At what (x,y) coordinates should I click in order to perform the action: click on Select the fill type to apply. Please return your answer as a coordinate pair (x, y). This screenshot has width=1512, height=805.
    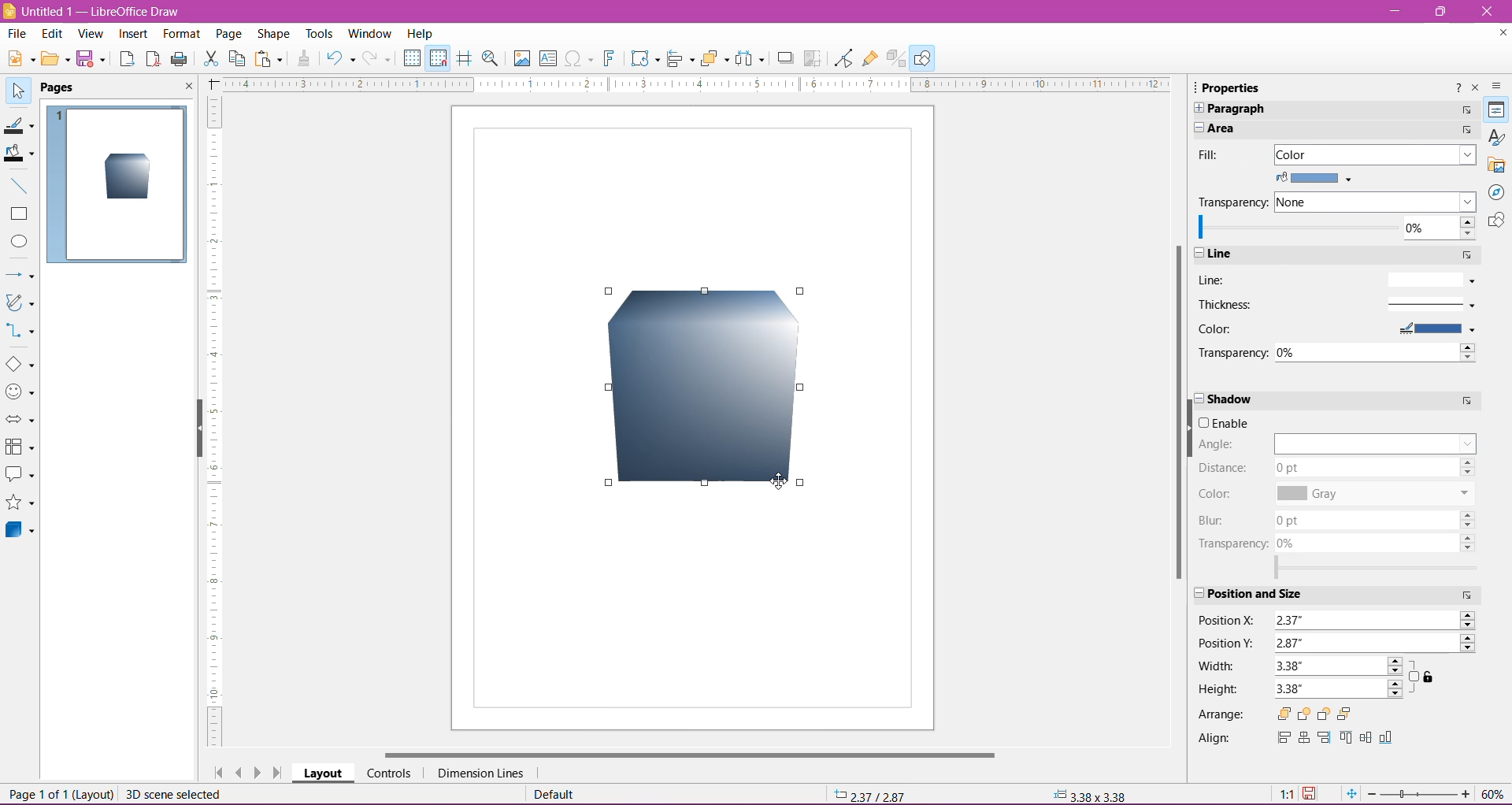
    Looking at the image, I should click on (1375, 154).